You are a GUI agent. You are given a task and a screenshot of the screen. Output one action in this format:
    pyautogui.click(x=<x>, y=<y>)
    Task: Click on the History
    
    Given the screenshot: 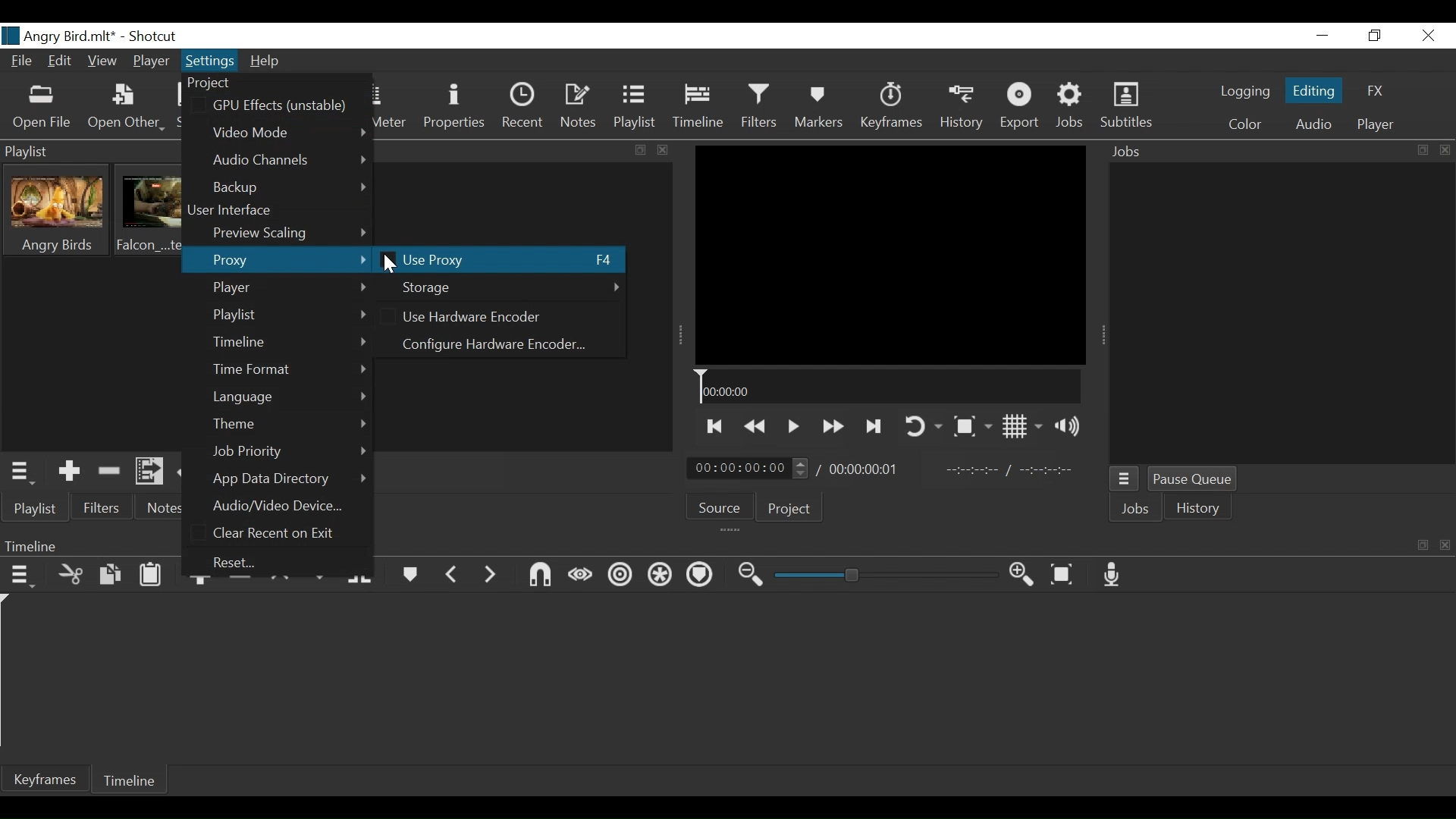 What is the action you would take?
    pyautogui.click(x=959, y=108)
    